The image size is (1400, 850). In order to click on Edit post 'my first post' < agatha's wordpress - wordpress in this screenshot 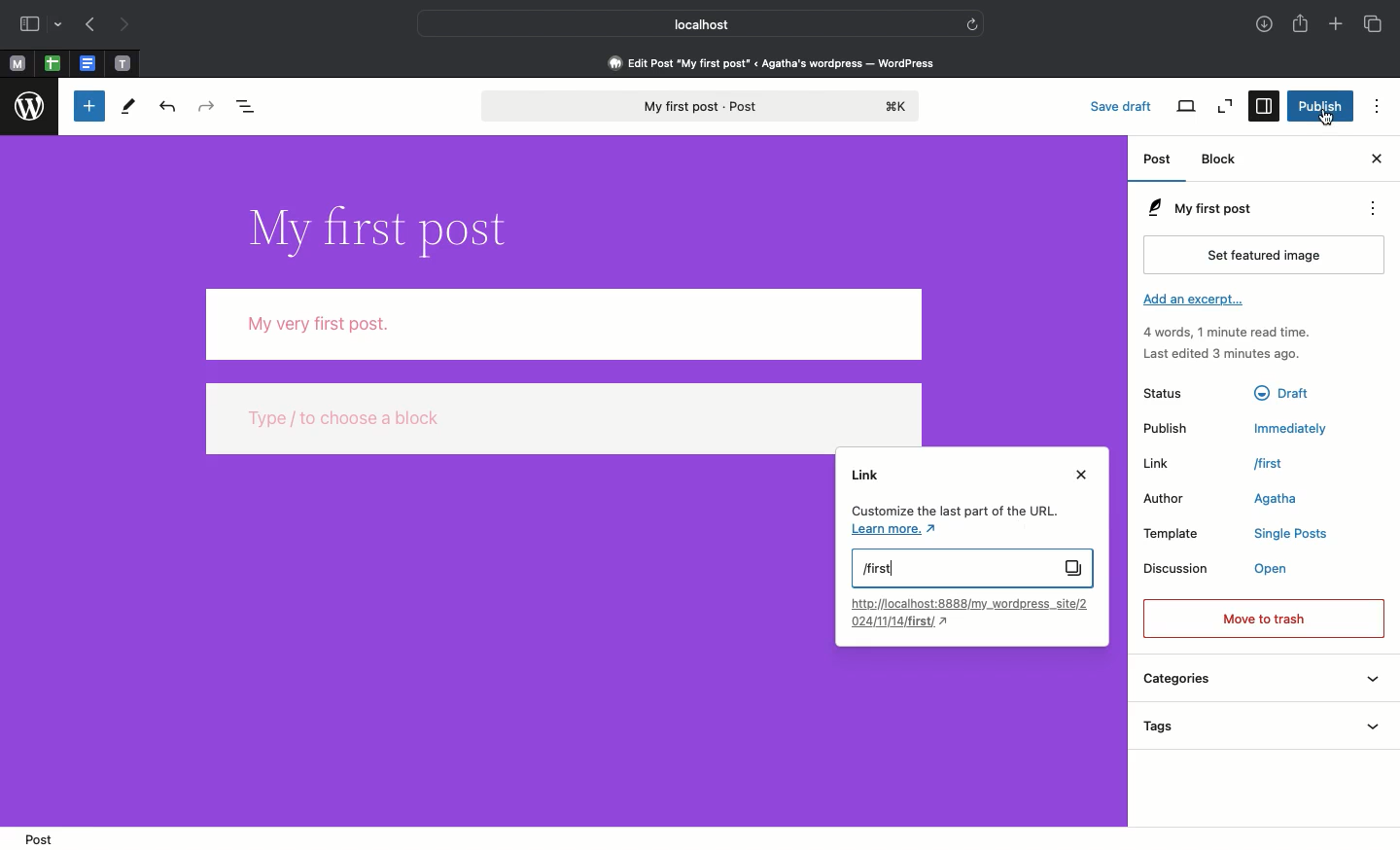, I will do `click(772, 62)`.